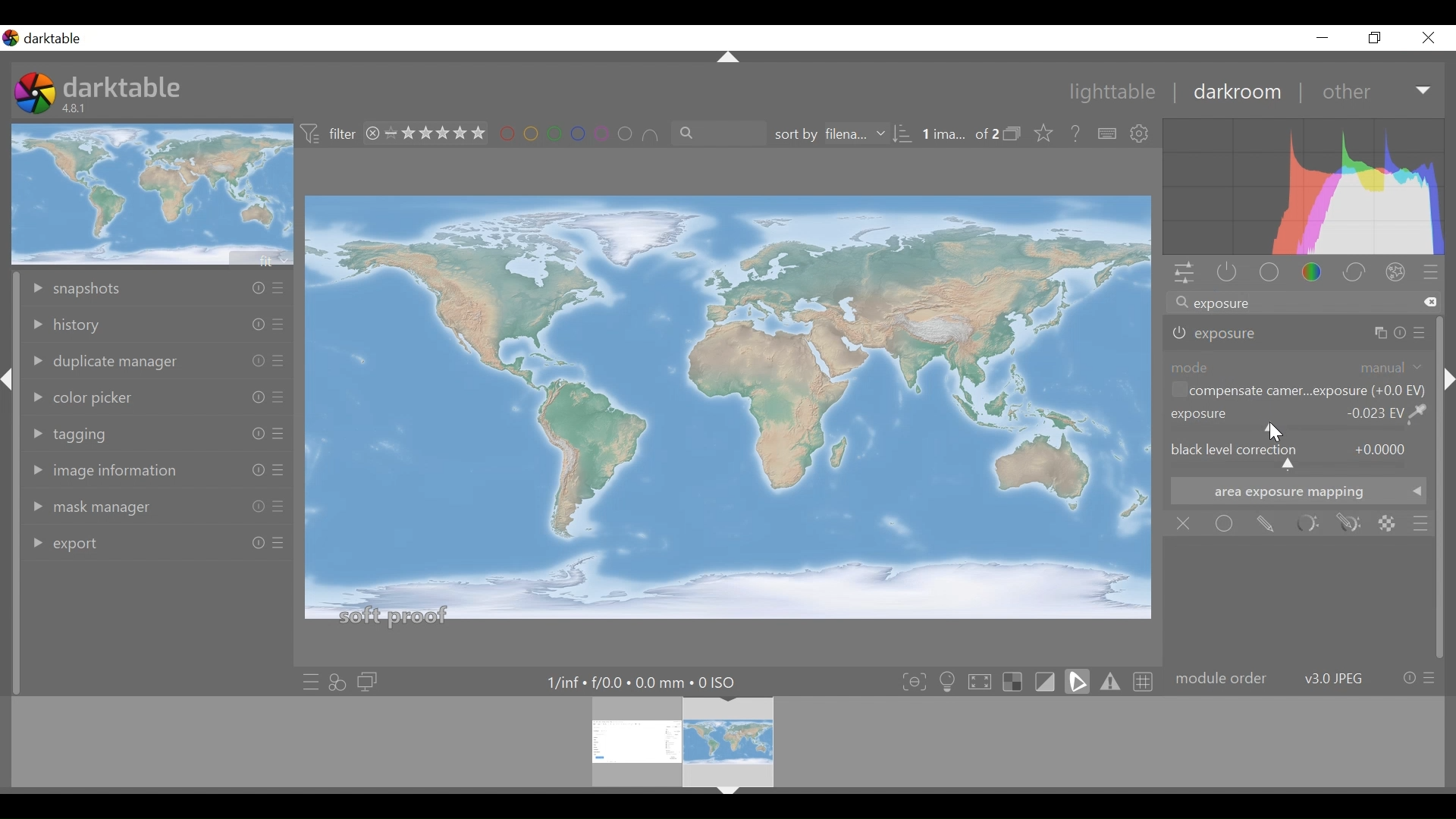  Describe the element at coordinates (1271, 274) in the screenshot. I see `base` at that location.